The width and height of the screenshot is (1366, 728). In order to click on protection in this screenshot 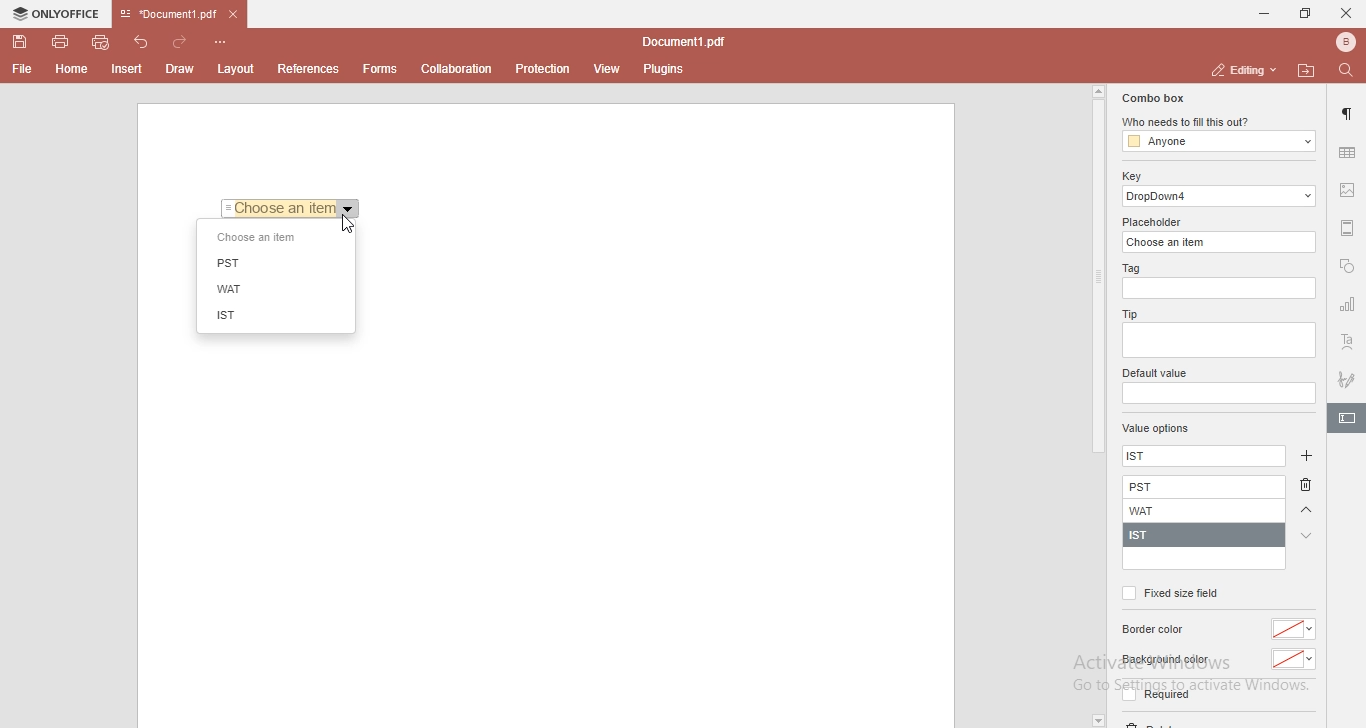, I will do `click(543, 68)`.